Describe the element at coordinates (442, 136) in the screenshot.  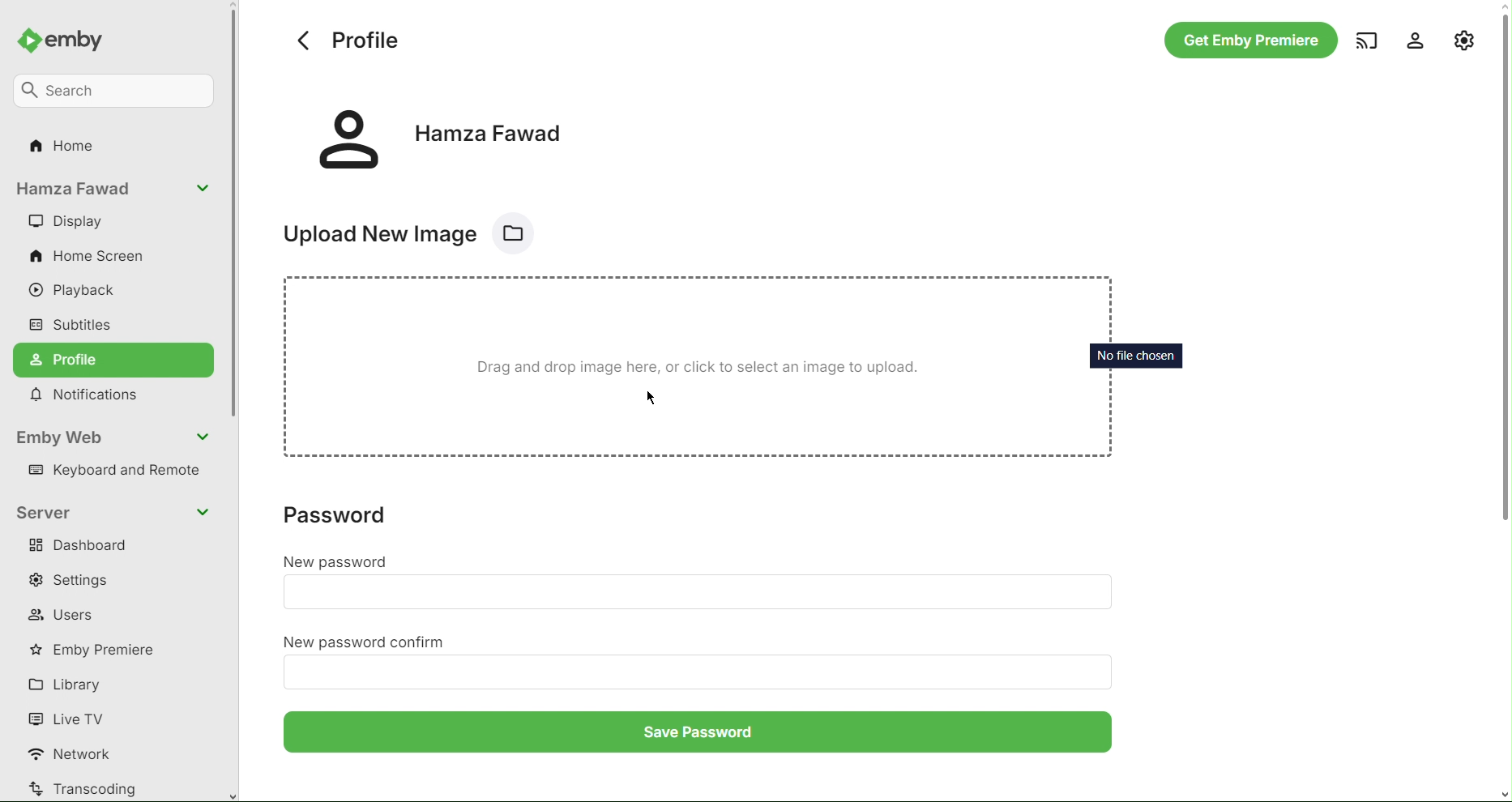
I see `Account` at that location.